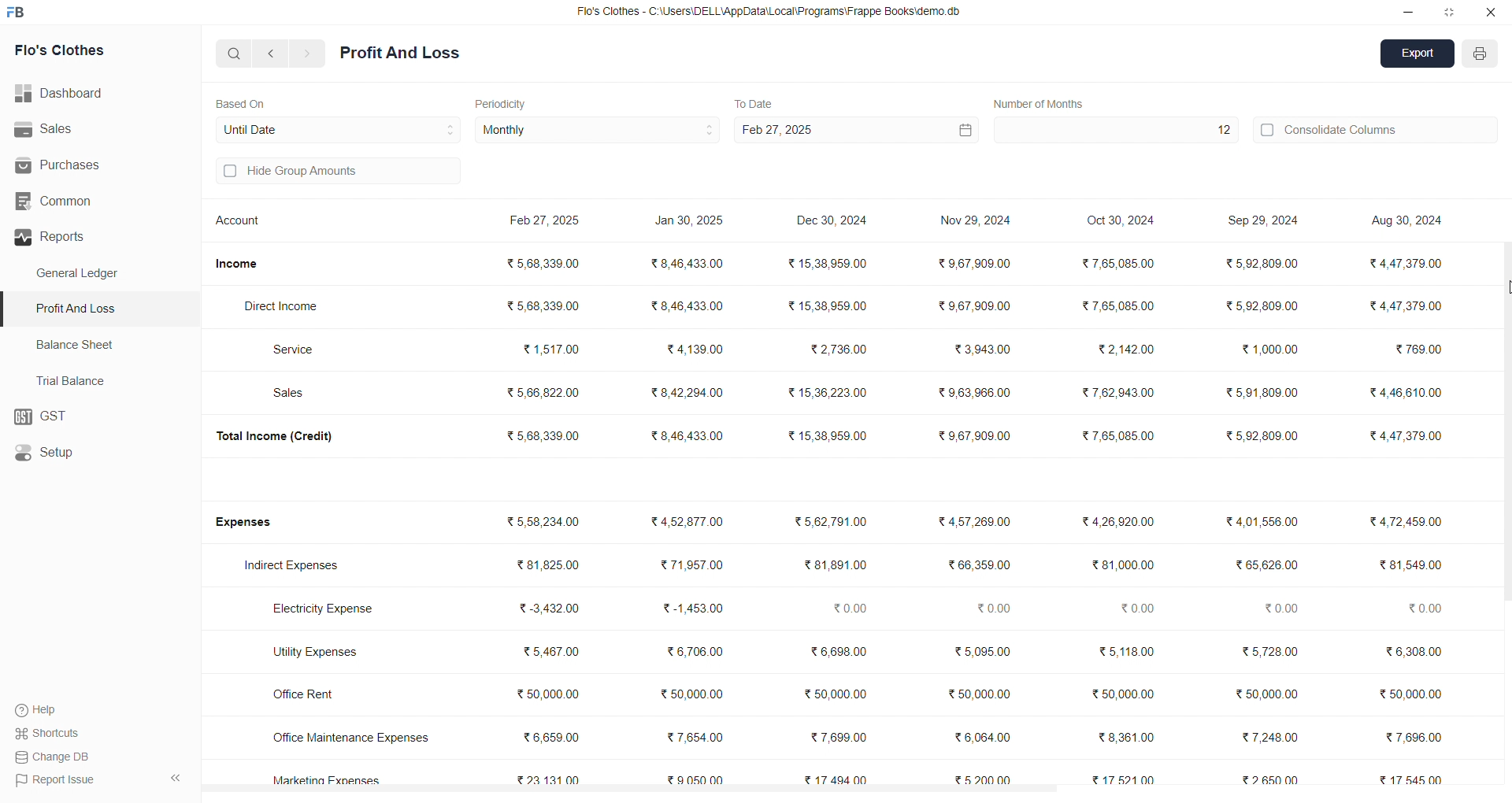 The height and width of the screenshot is (803, 1512). I want to click on ₹568,339.00, so click(547, 265).